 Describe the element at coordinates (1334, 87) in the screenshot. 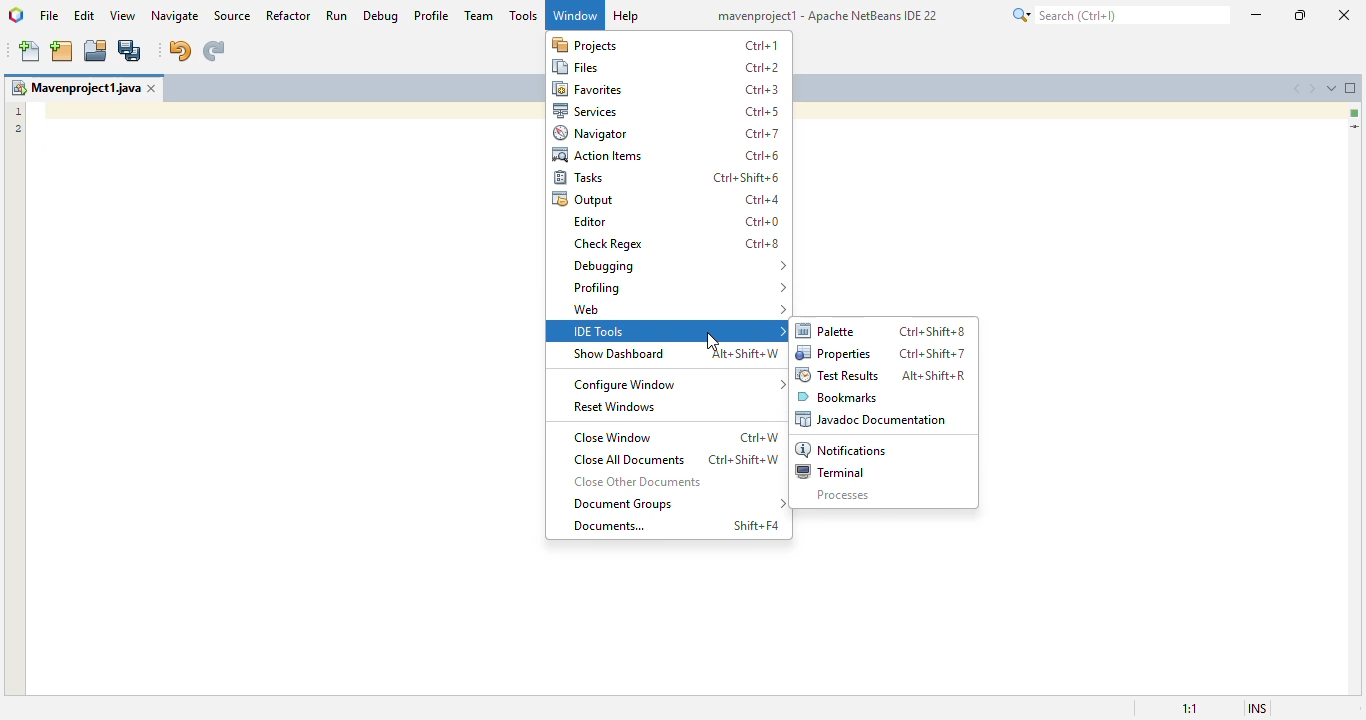

I see `show opened documents list` at that location.